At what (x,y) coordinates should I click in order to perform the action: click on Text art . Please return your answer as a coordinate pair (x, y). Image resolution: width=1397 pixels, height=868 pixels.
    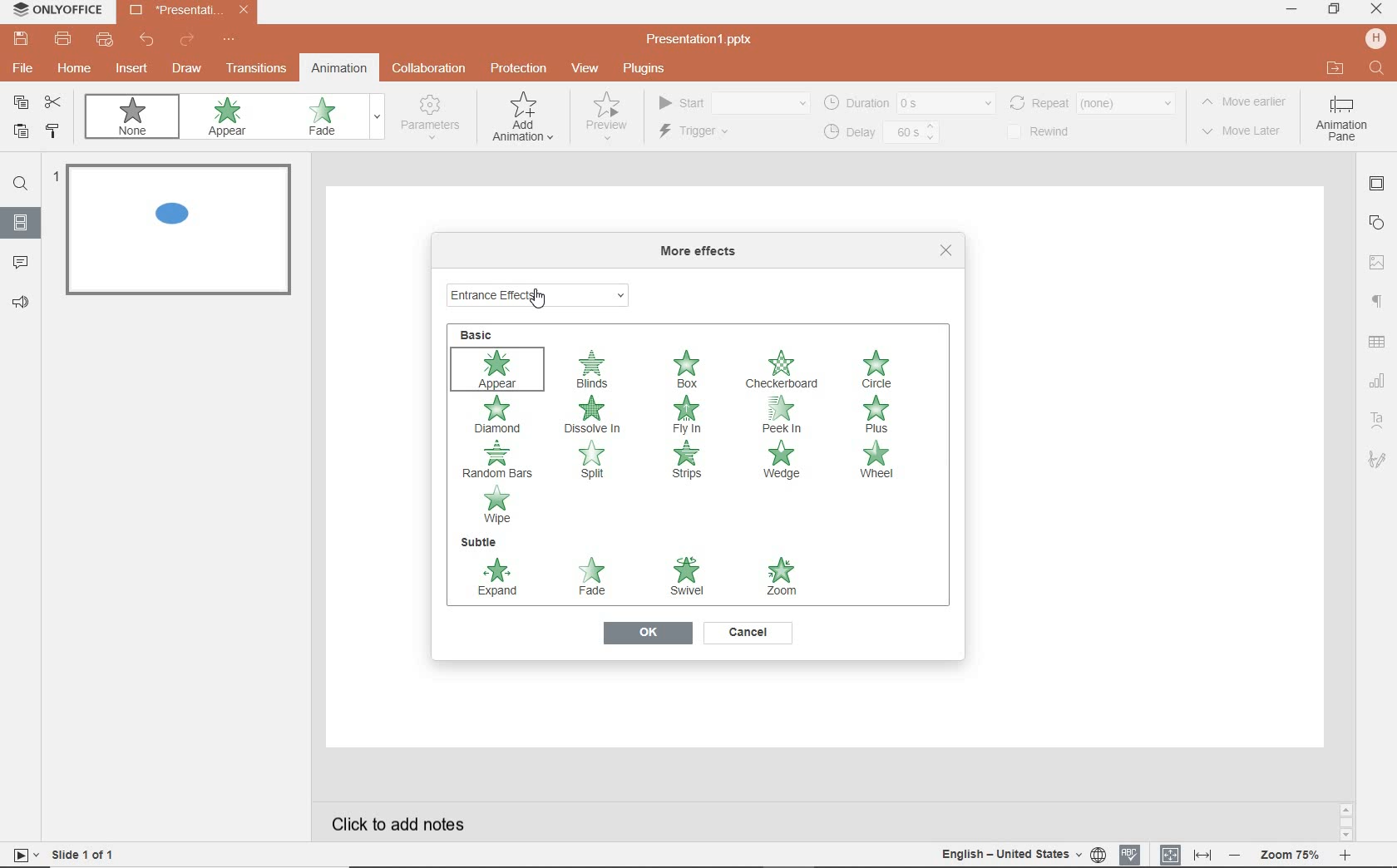
    Looking at the image, I should click on (1375, 418).